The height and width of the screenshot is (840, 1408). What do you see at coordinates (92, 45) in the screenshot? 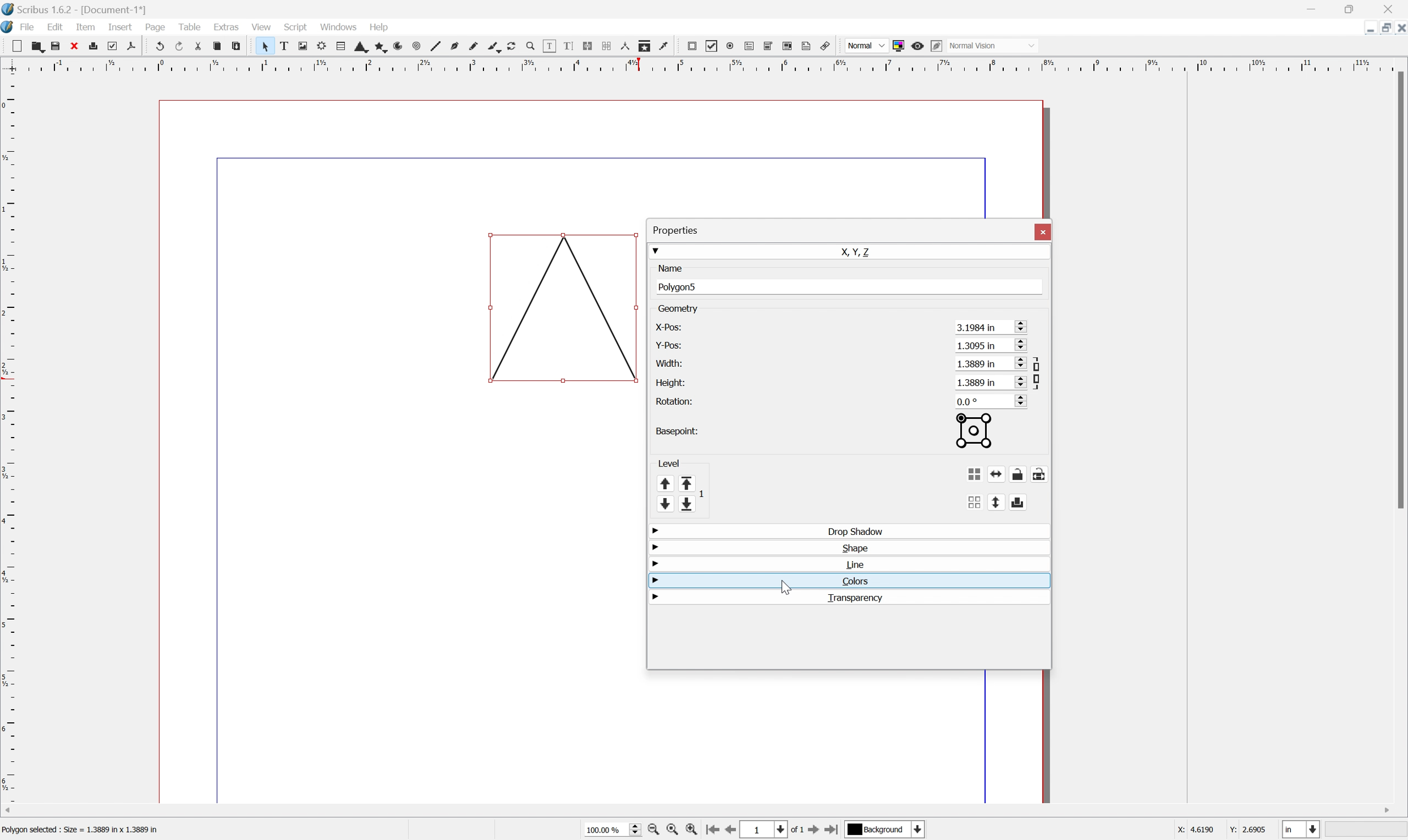
I see `Print` at bounding box center [92, 45].